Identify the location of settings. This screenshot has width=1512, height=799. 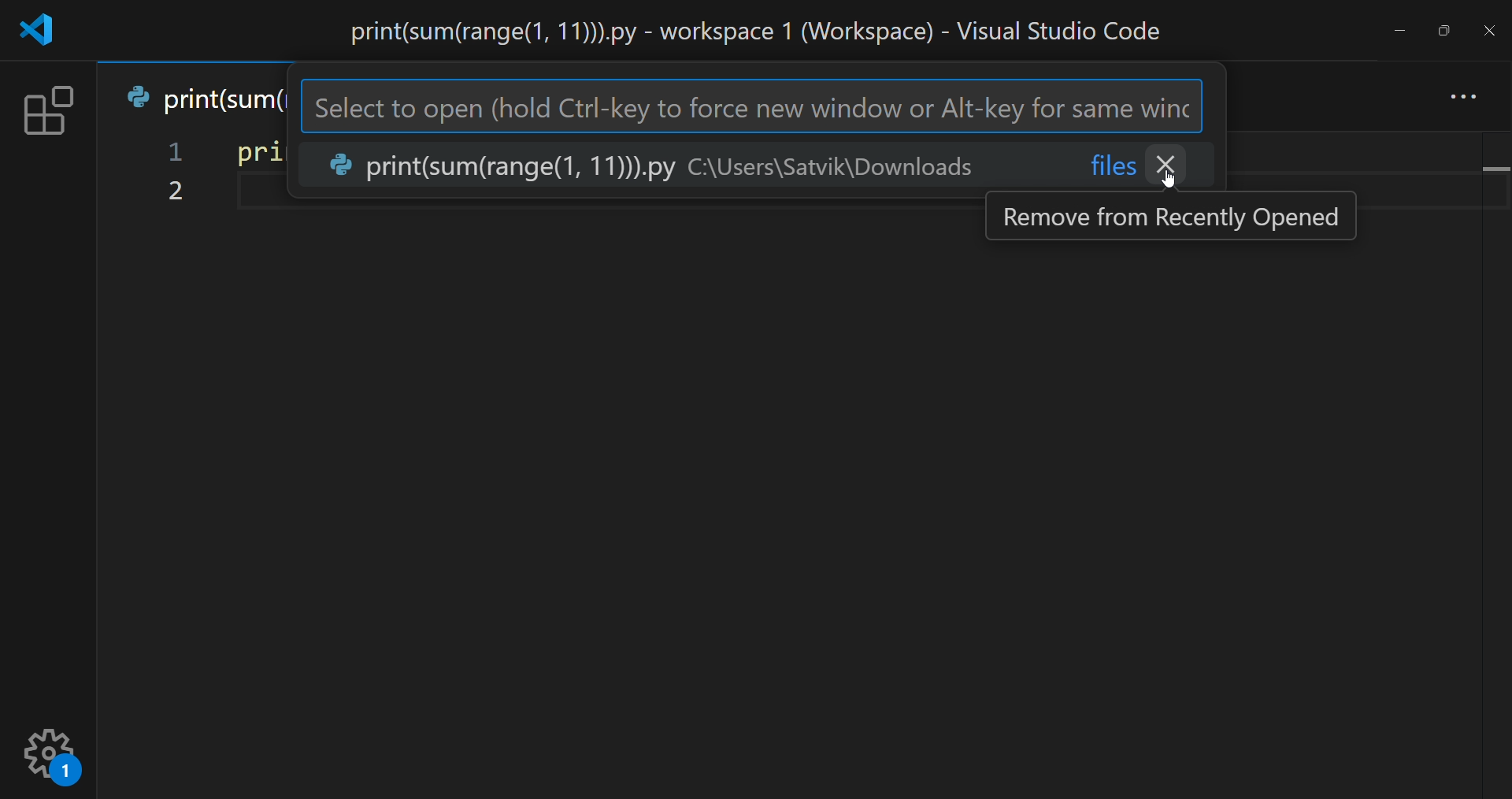
(53, 751).